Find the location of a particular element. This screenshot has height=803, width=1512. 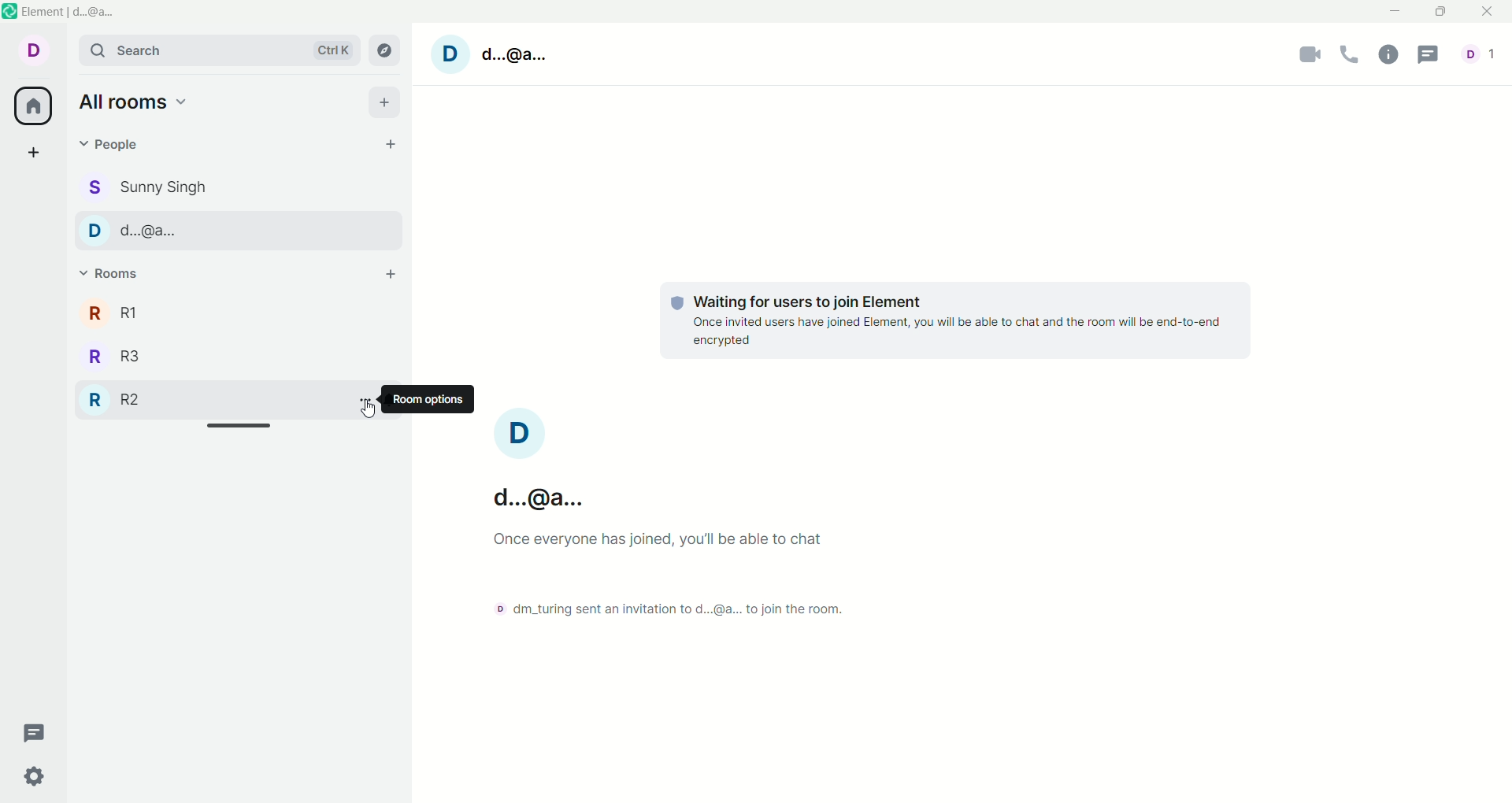

all rooms is located at coordinates (136, 105).